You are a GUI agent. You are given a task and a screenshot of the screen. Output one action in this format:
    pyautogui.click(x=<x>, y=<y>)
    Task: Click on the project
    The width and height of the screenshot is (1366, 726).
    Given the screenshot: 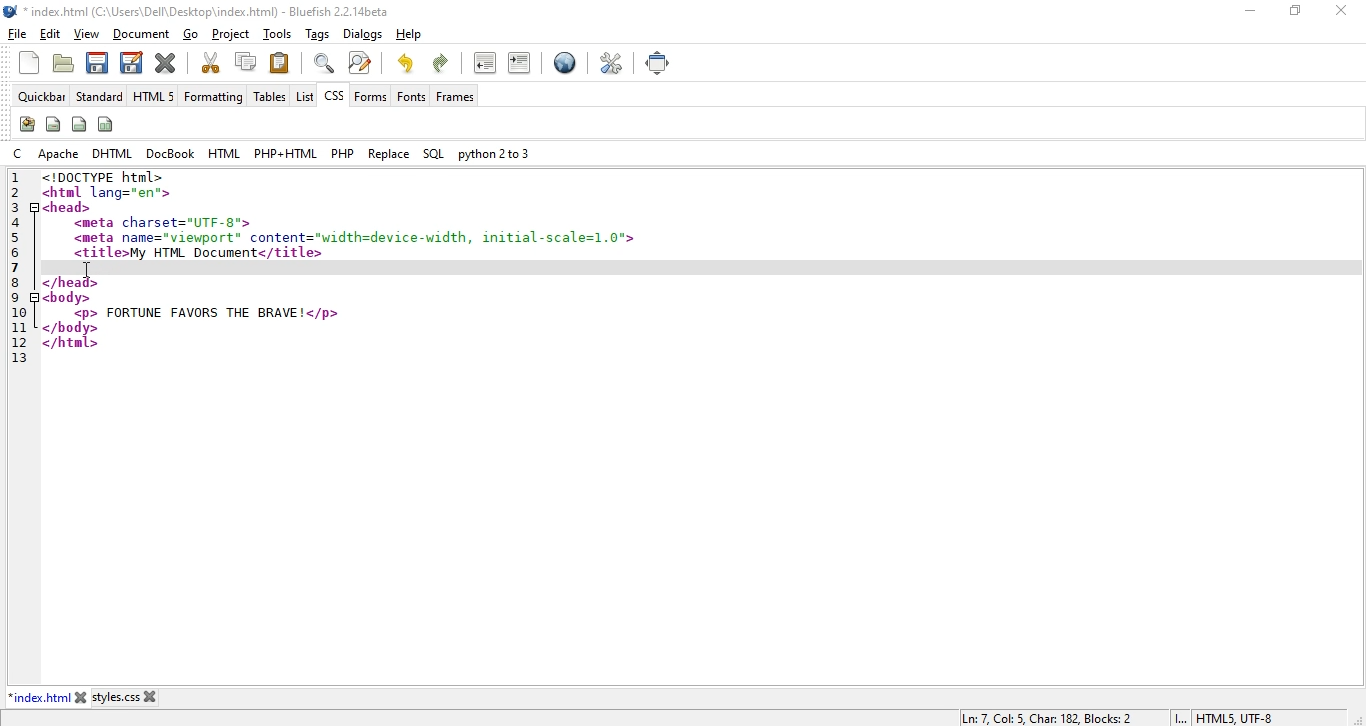 What is the action you would take?
    pyautogui.click(x=232, y=34)
    